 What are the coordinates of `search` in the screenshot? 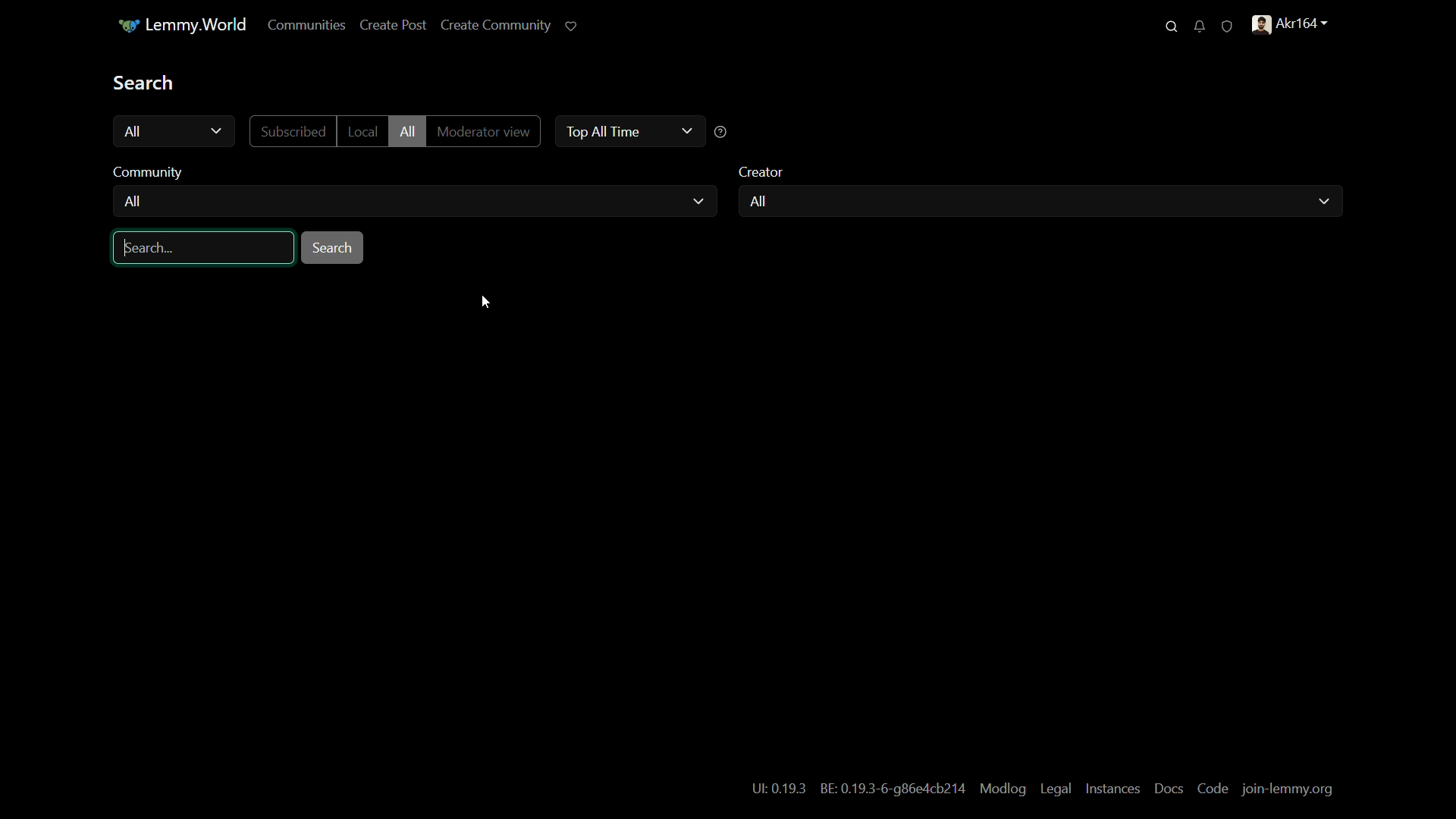 It's located at (334, 248).